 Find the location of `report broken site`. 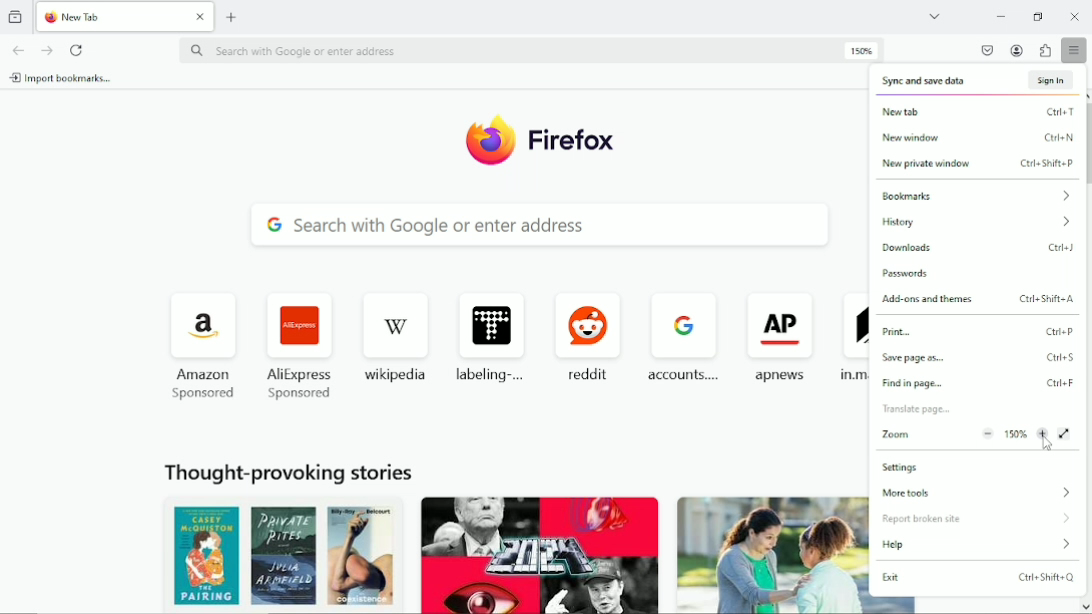

report broken site is located at coordinates (978, 519).